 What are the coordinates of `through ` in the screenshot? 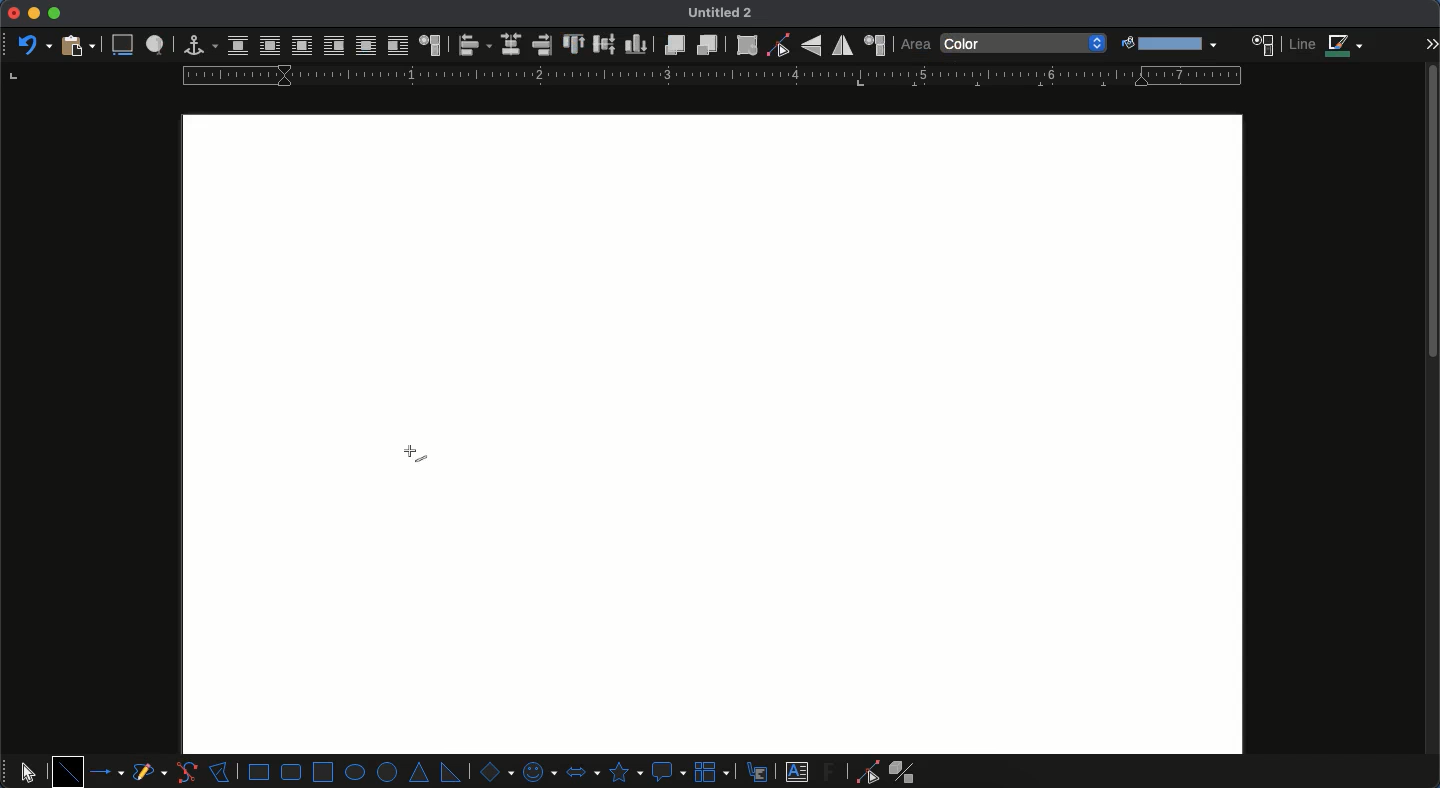 It's located at (365, 46).